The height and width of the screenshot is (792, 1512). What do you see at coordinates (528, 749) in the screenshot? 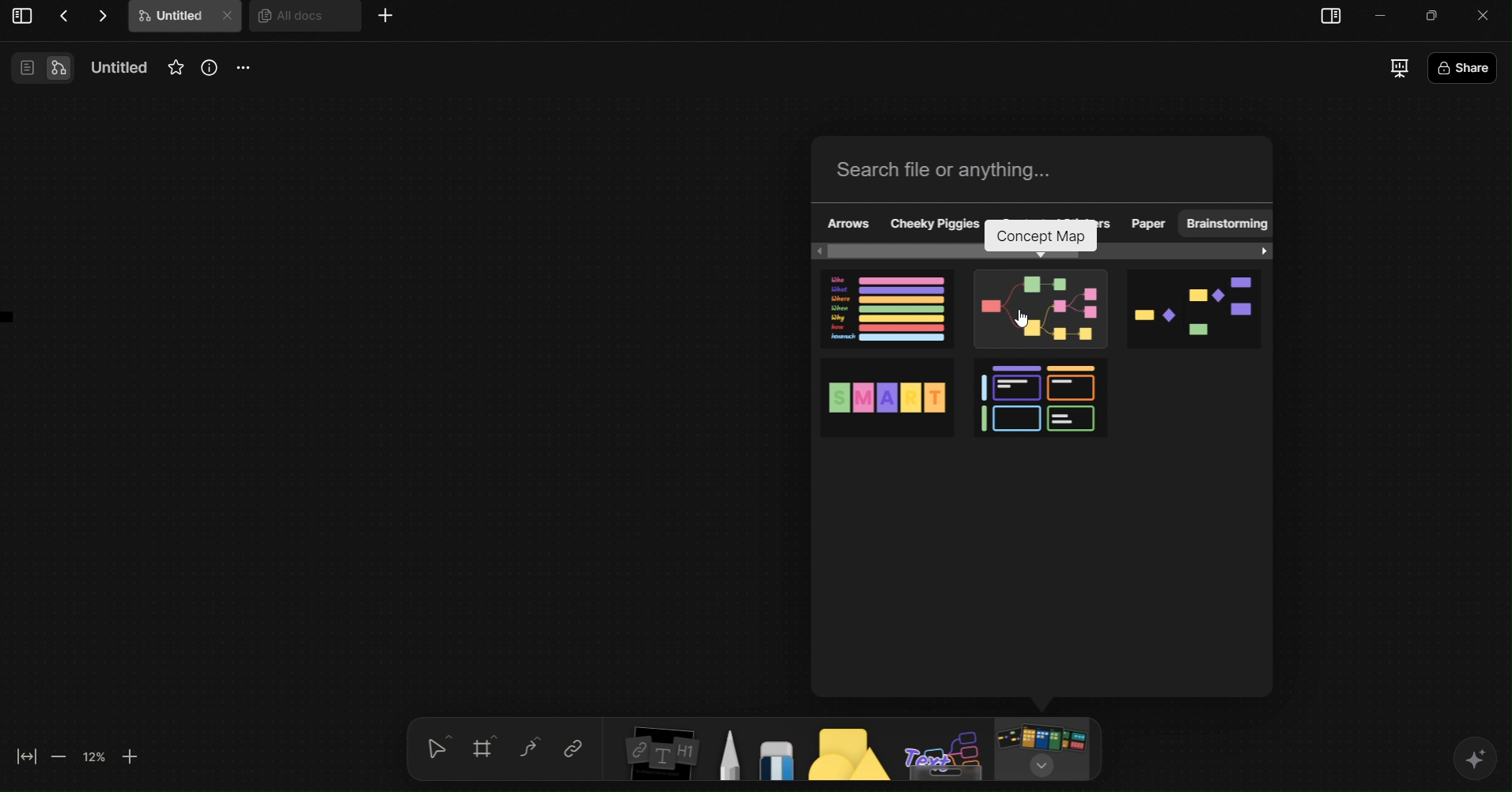
I see `Curve Tool` at bounding box center [528, 749].